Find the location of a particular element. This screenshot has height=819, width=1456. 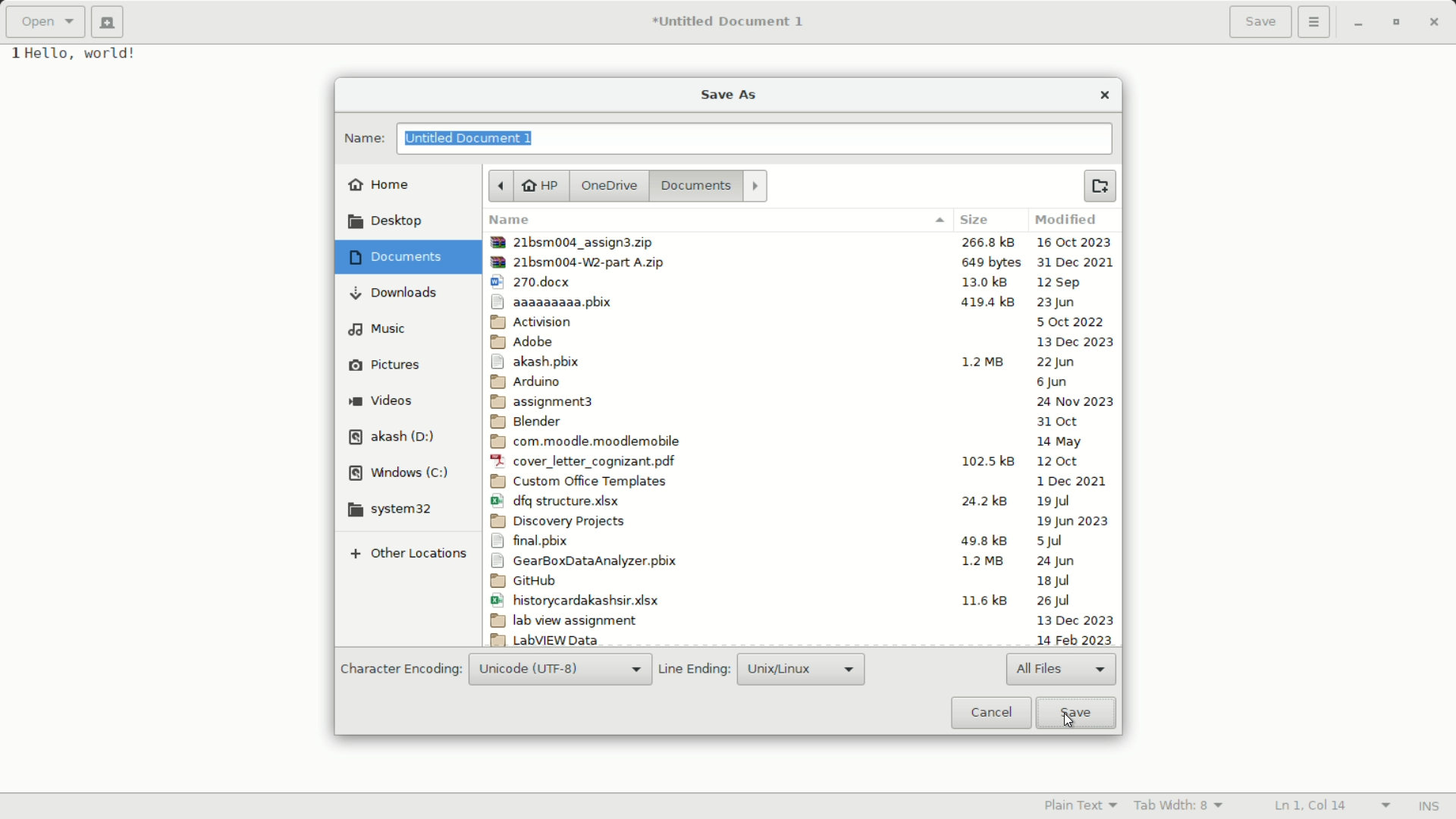

Highlighting mode is located at coordinates (1081, 806).